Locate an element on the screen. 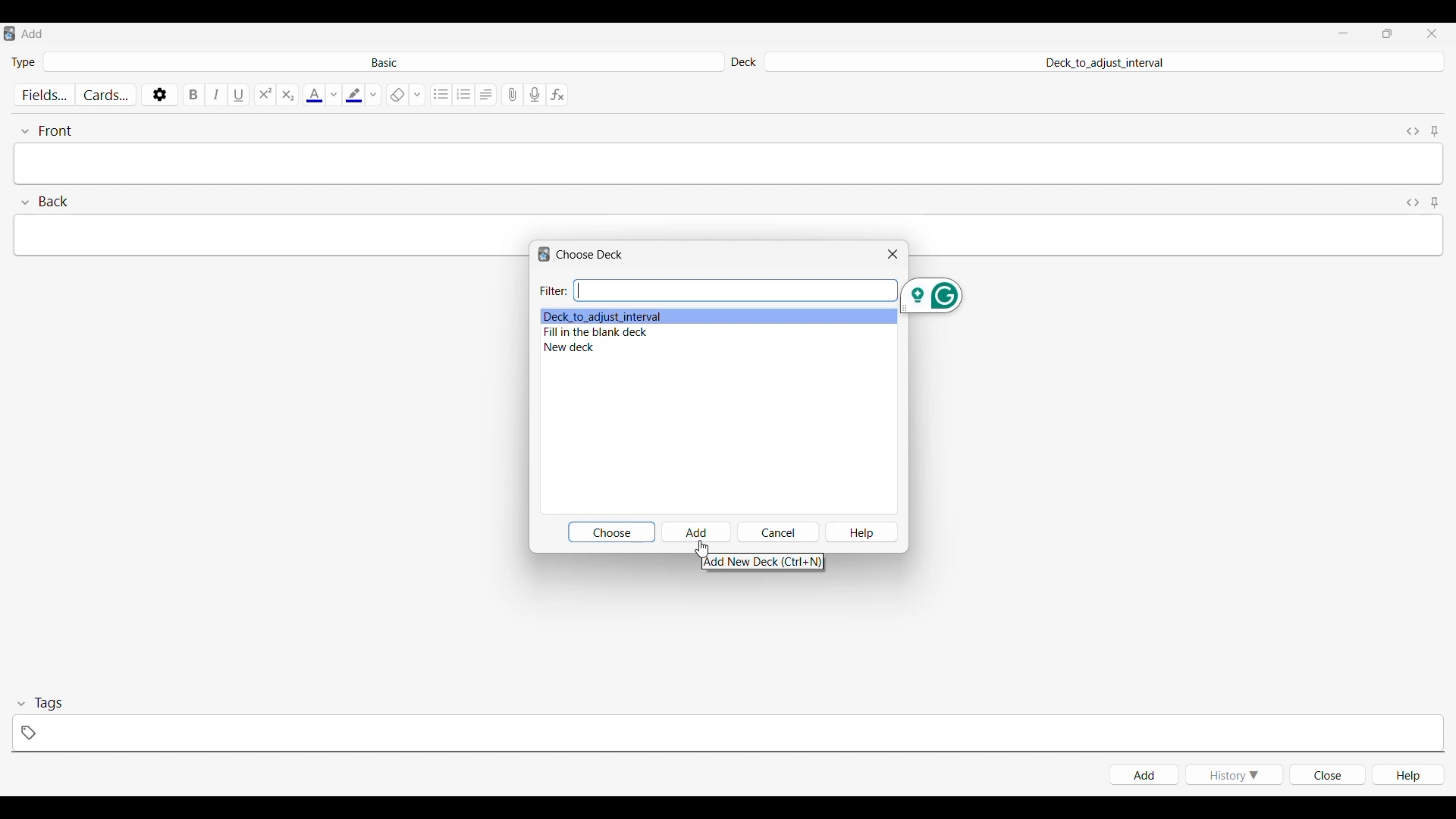 Image resolution: width=1456 pixels, height=819 pixels. Collapse Back field is located at coordinates (45, 202).